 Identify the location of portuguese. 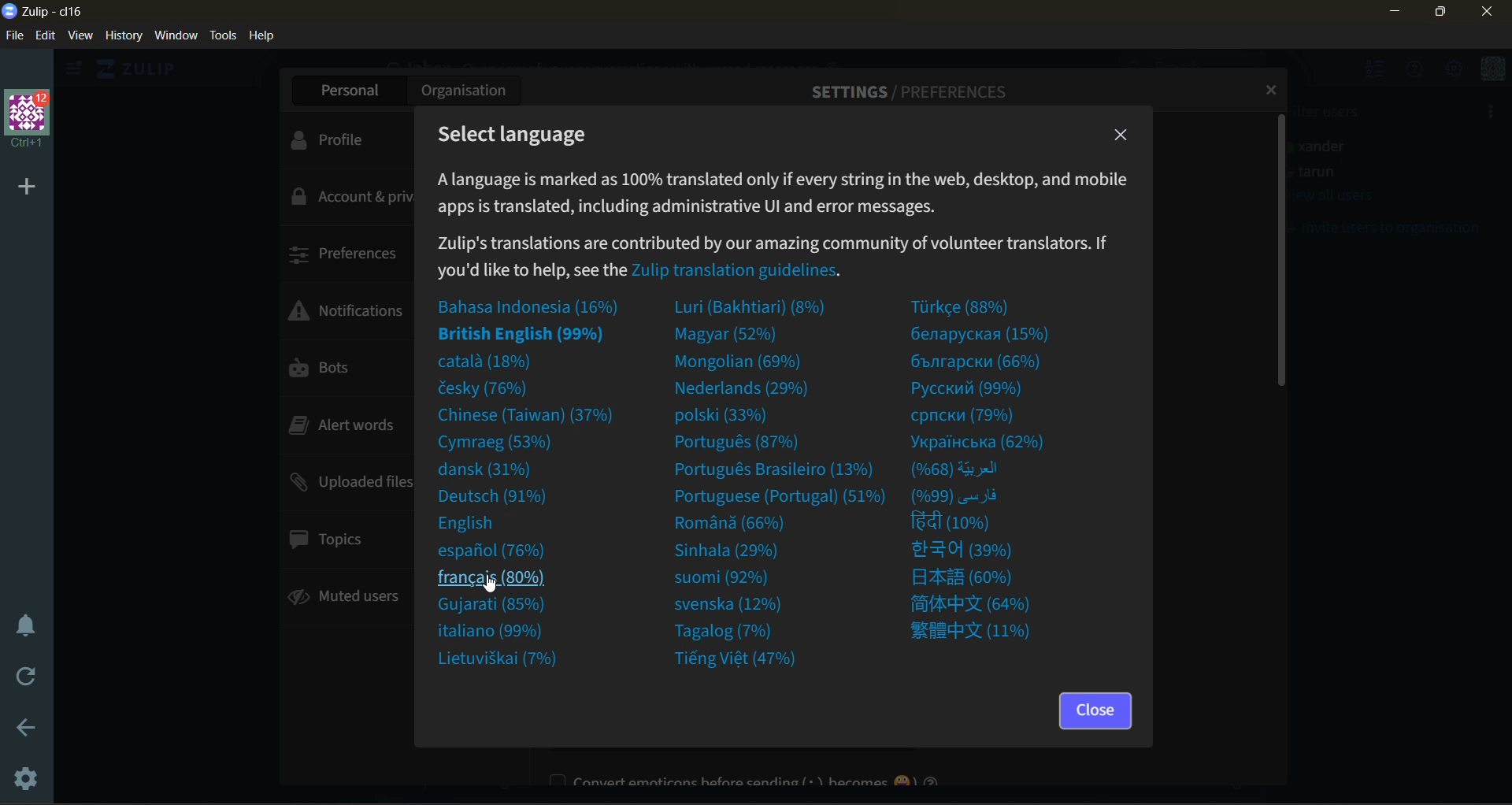
(773, 496).